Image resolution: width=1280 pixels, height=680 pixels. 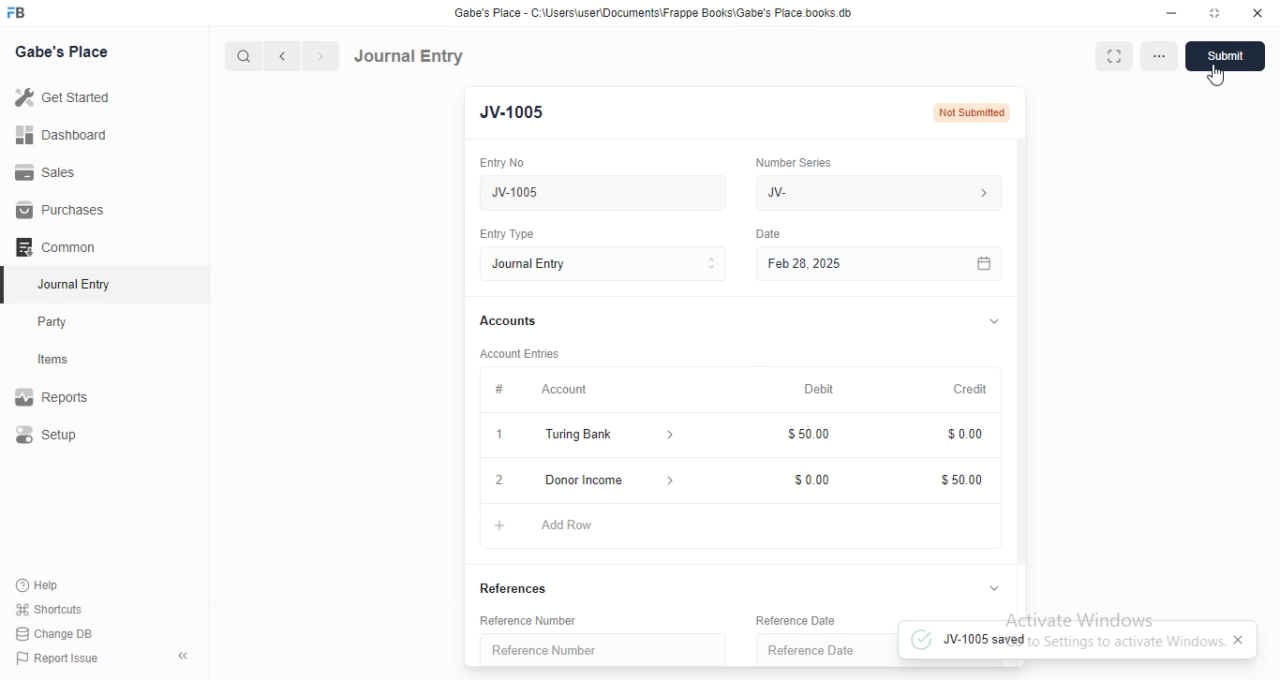 I want to click on Common, so click(x=61, y=247).